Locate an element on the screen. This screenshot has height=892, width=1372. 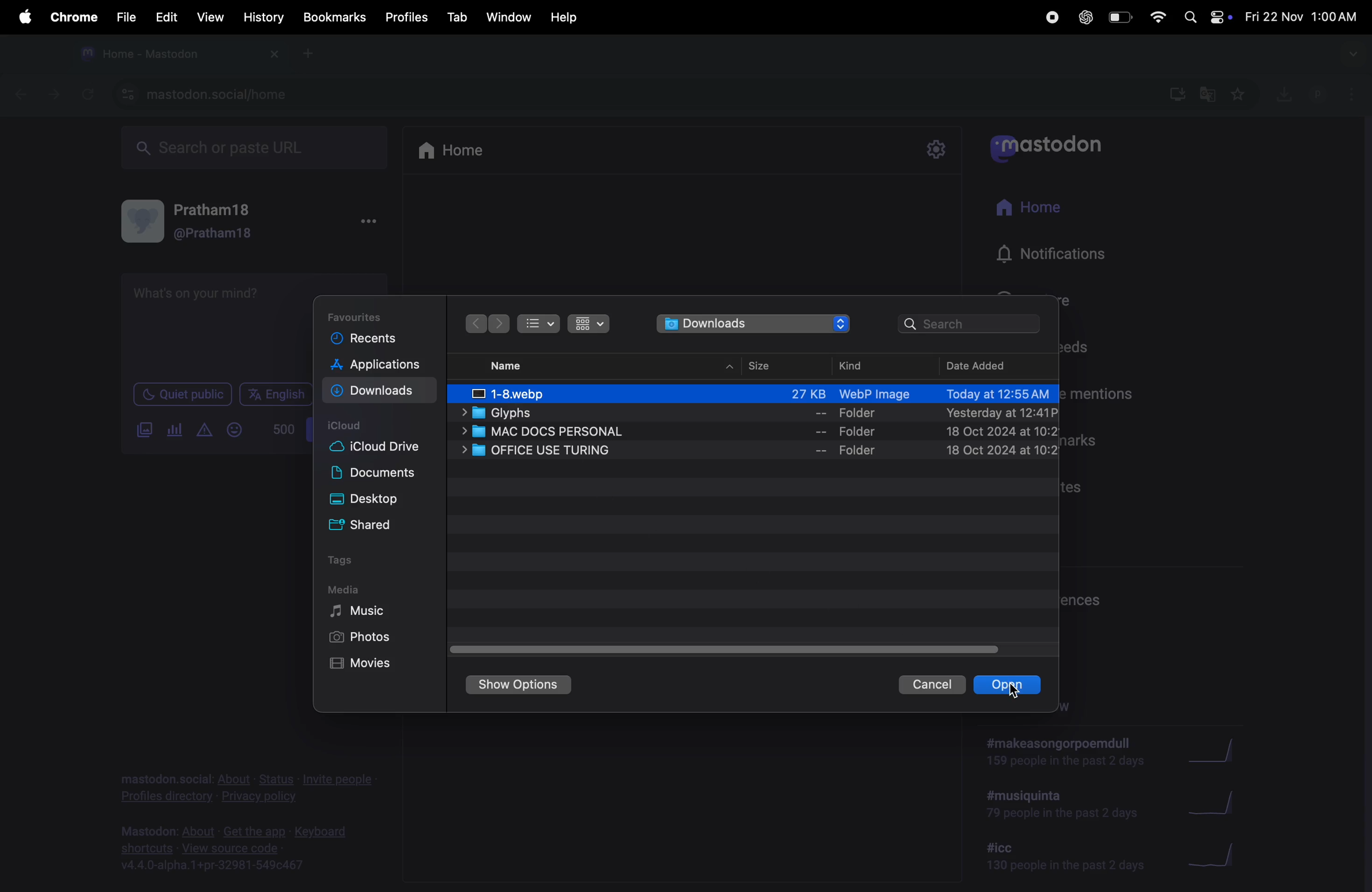
hide is located at coordinates (728, 369).